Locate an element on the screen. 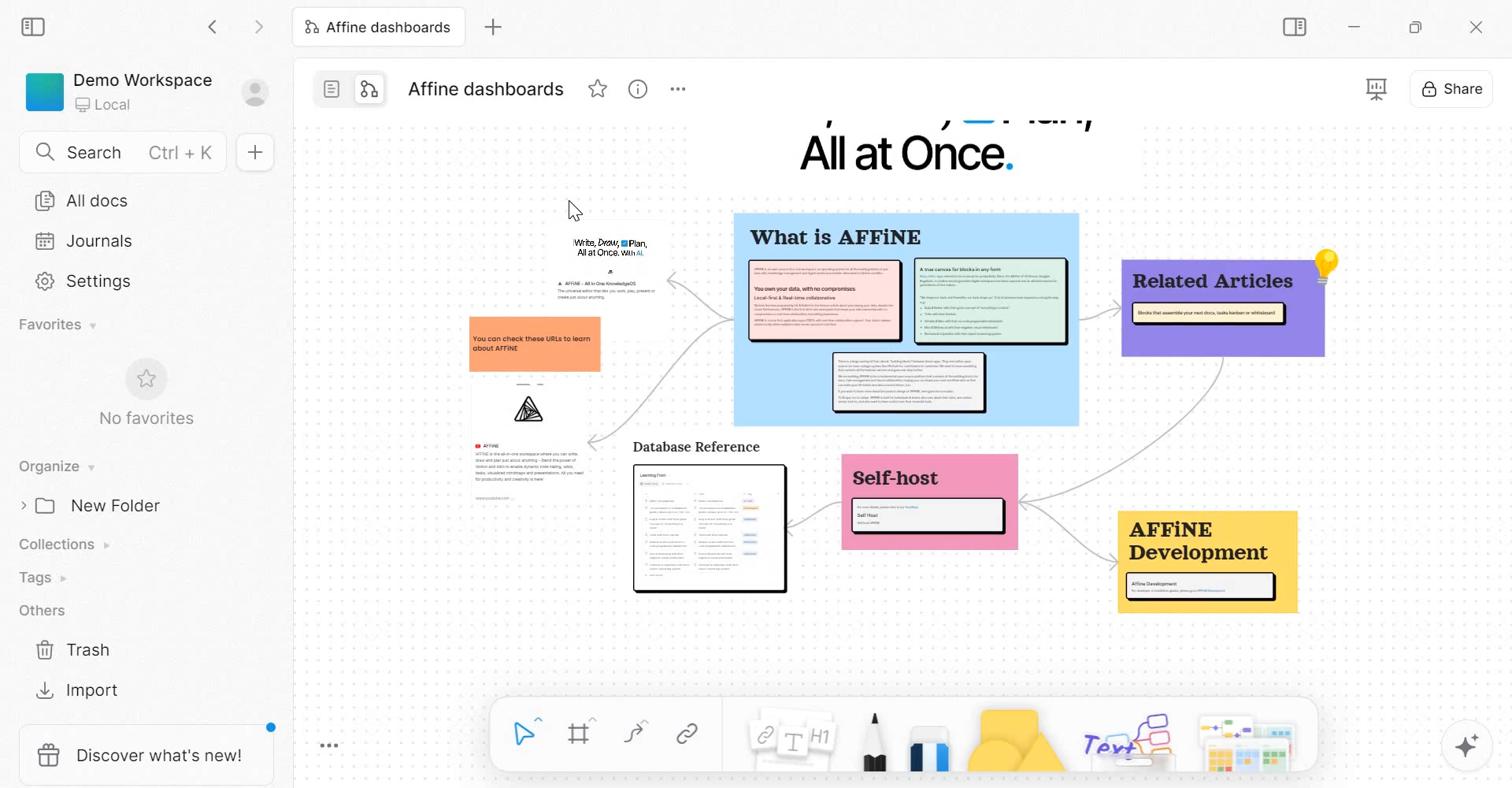  Settings is located at coordinates (83, 283).